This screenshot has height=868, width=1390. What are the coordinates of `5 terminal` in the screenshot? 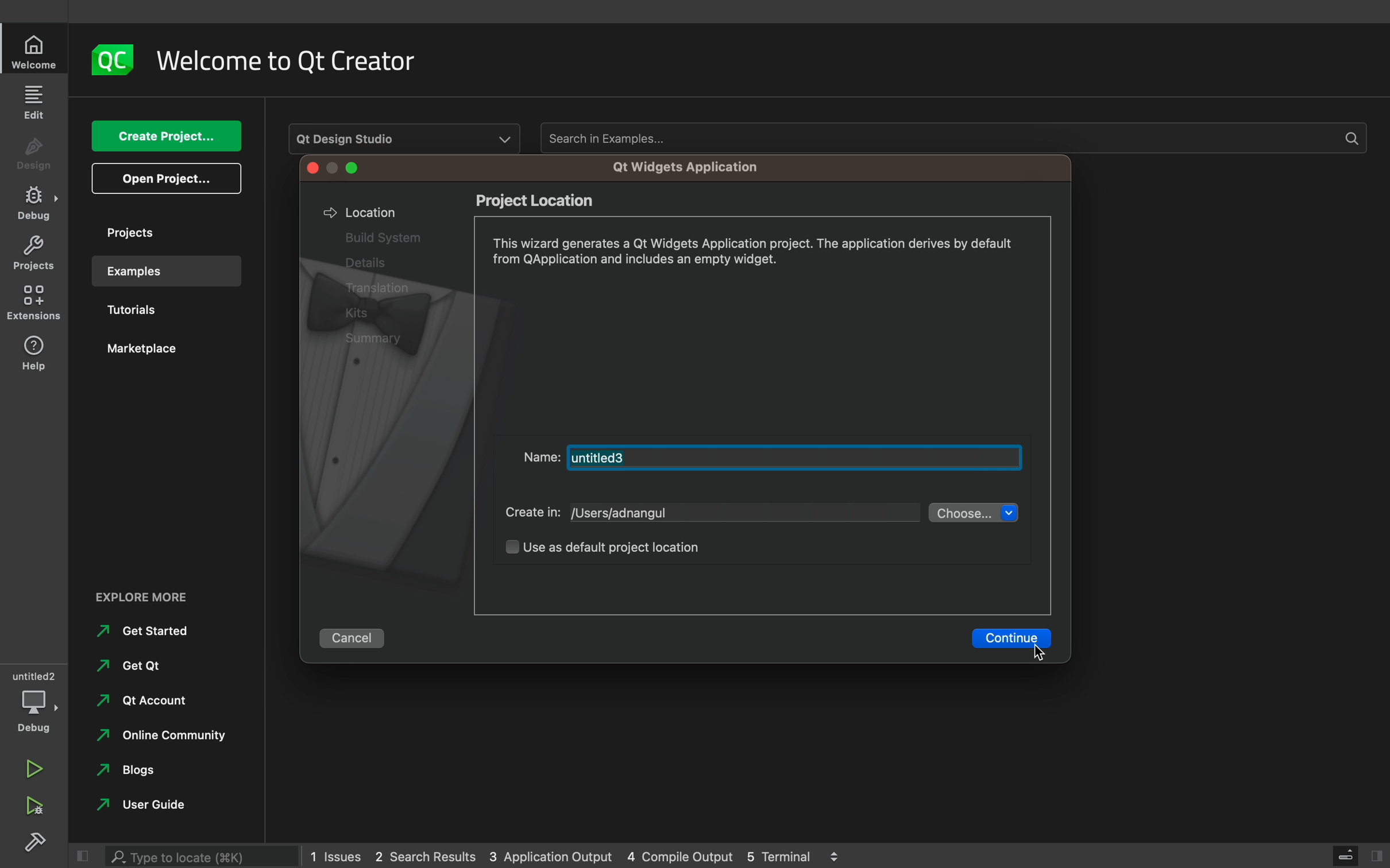 It's located at (784, 855).